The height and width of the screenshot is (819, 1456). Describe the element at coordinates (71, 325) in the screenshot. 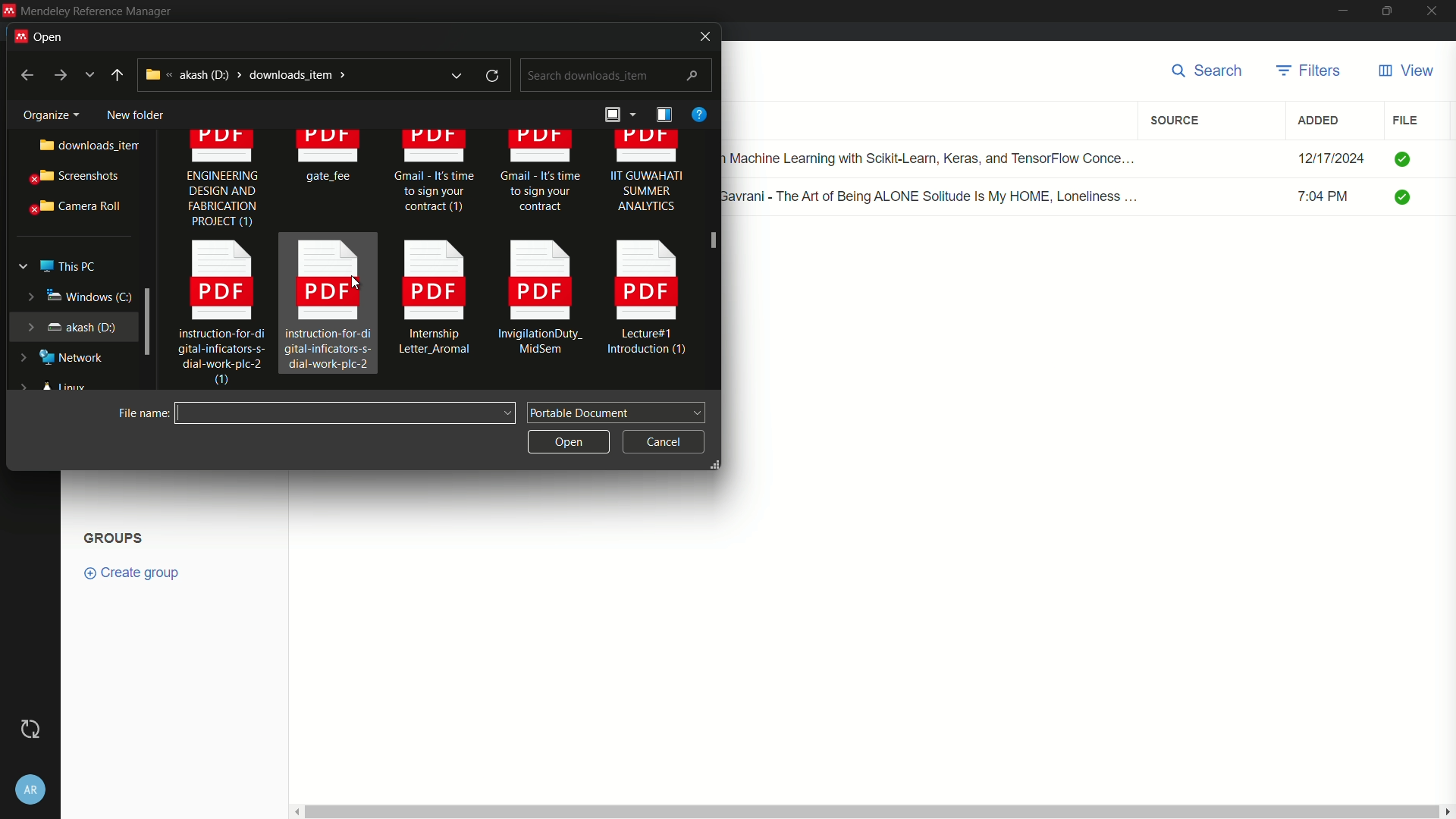

I see `akash (d:)` at that location.